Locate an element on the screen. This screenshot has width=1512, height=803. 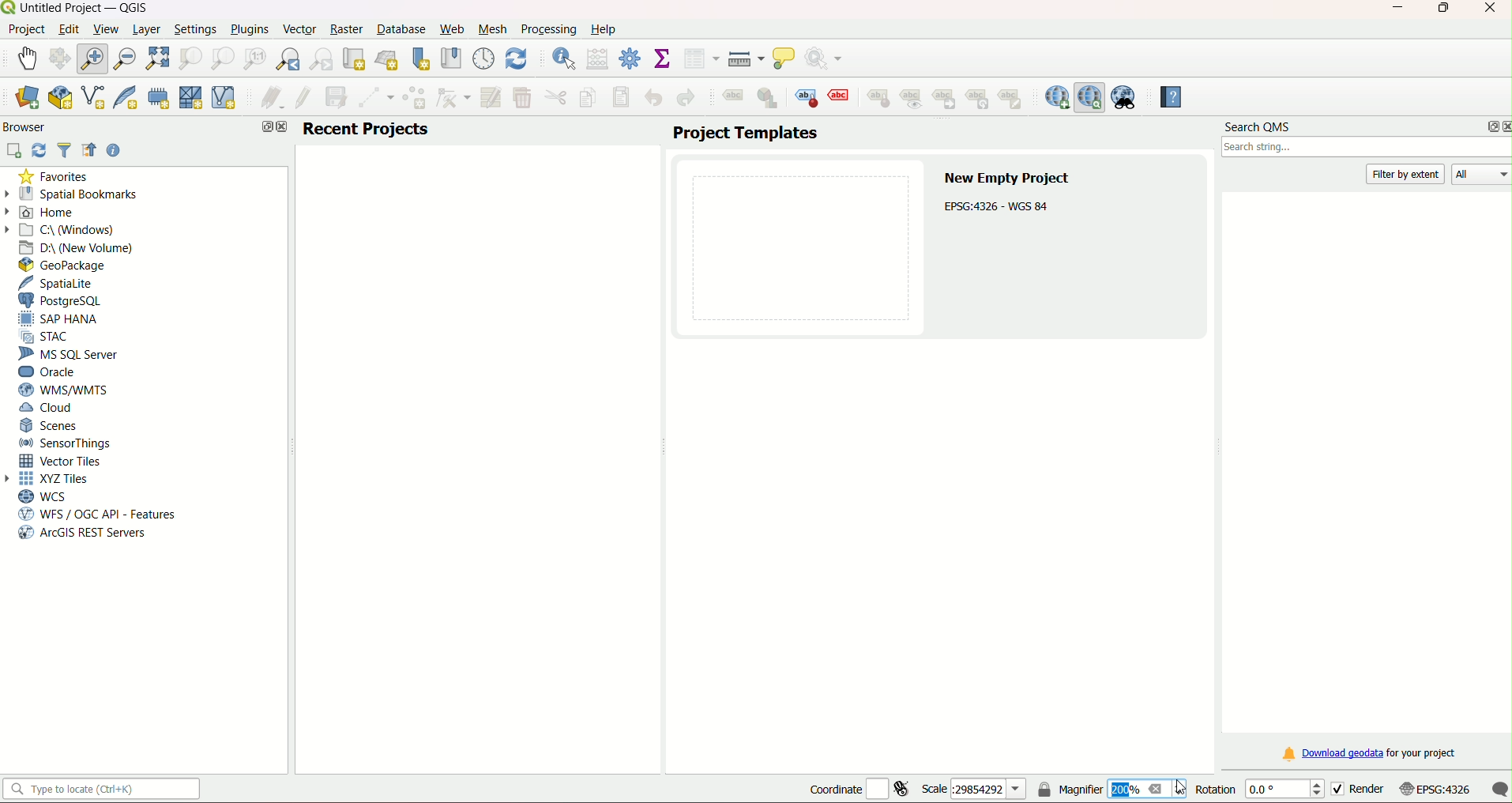
WCS is located at coordinates (42, 496).